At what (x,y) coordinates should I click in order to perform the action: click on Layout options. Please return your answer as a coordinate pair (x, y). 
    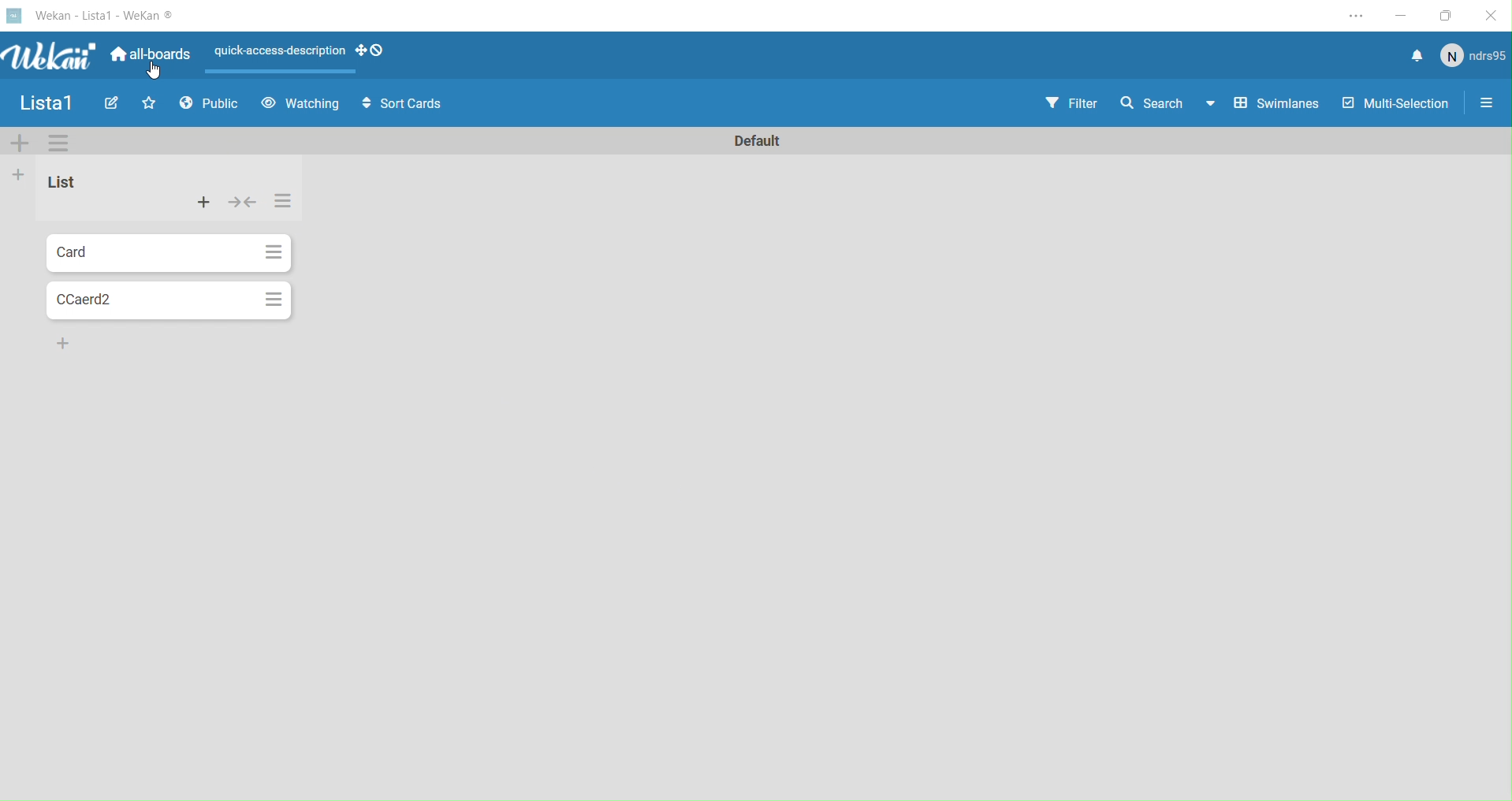
    Looking at the image, I should click on (303, 56).